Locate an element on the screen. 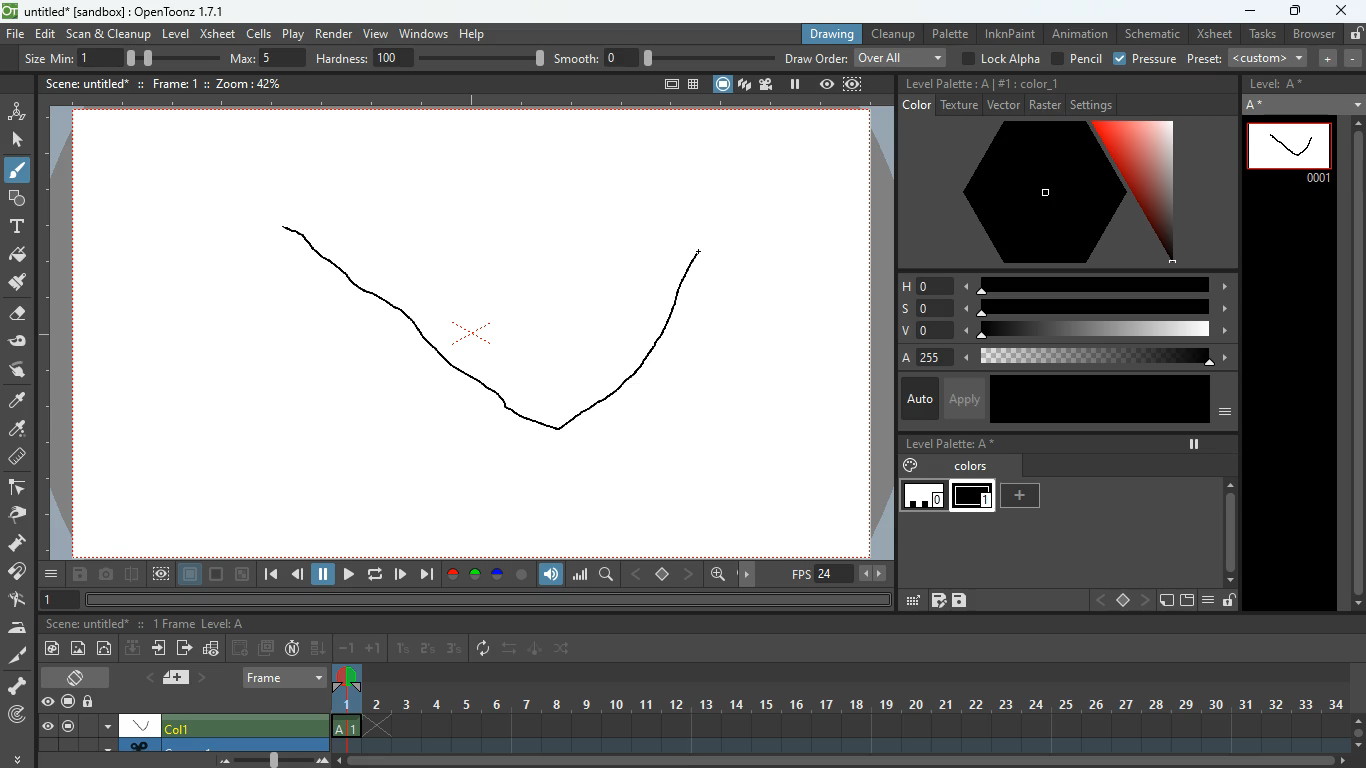 The height and width of the screenshot is (768, 1366). erase is located at coordinates (15, 315).